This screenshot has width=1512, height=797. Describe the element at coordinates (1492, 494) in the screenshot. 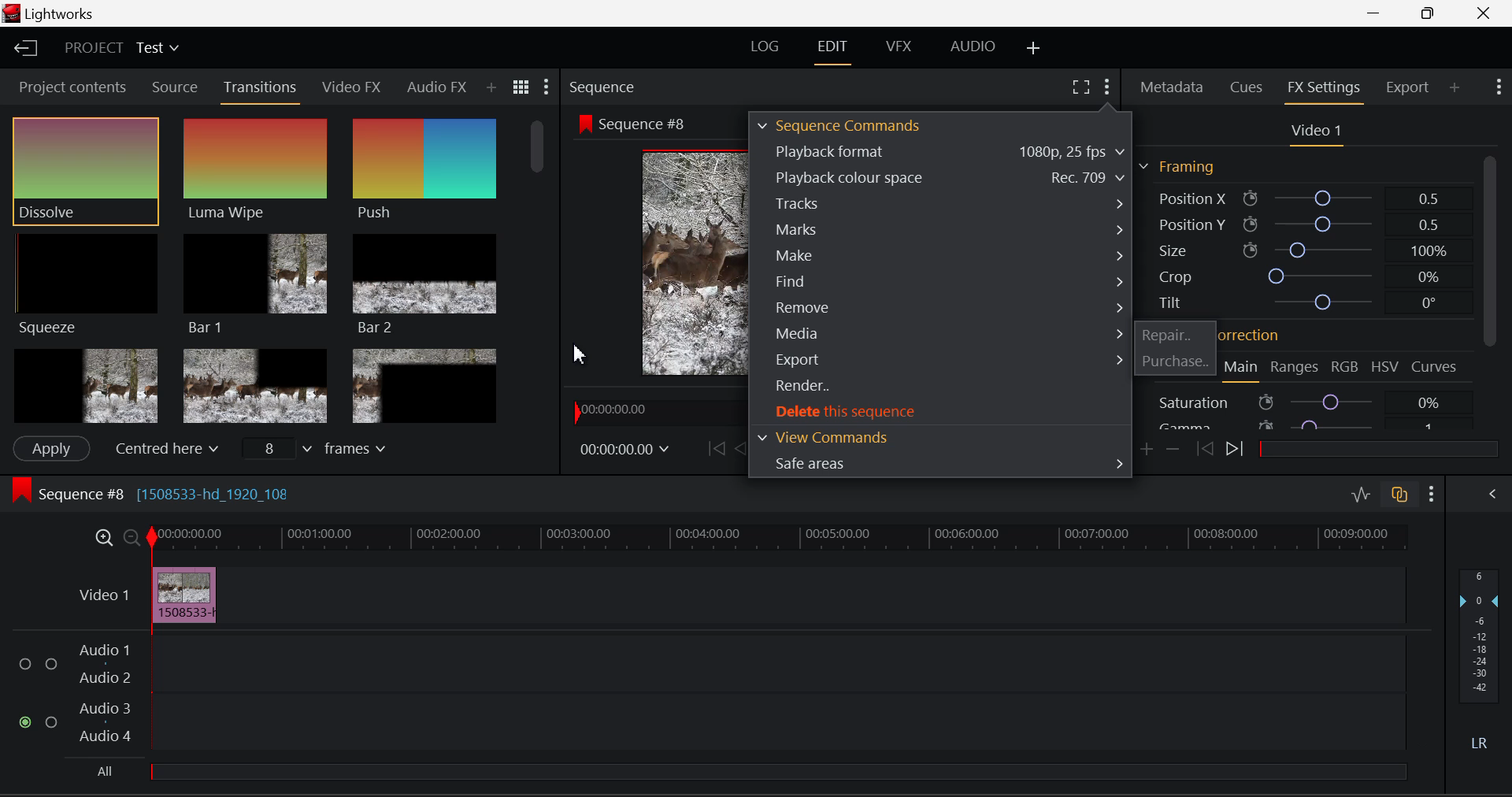

I see `Show Audio Mix` at that location.